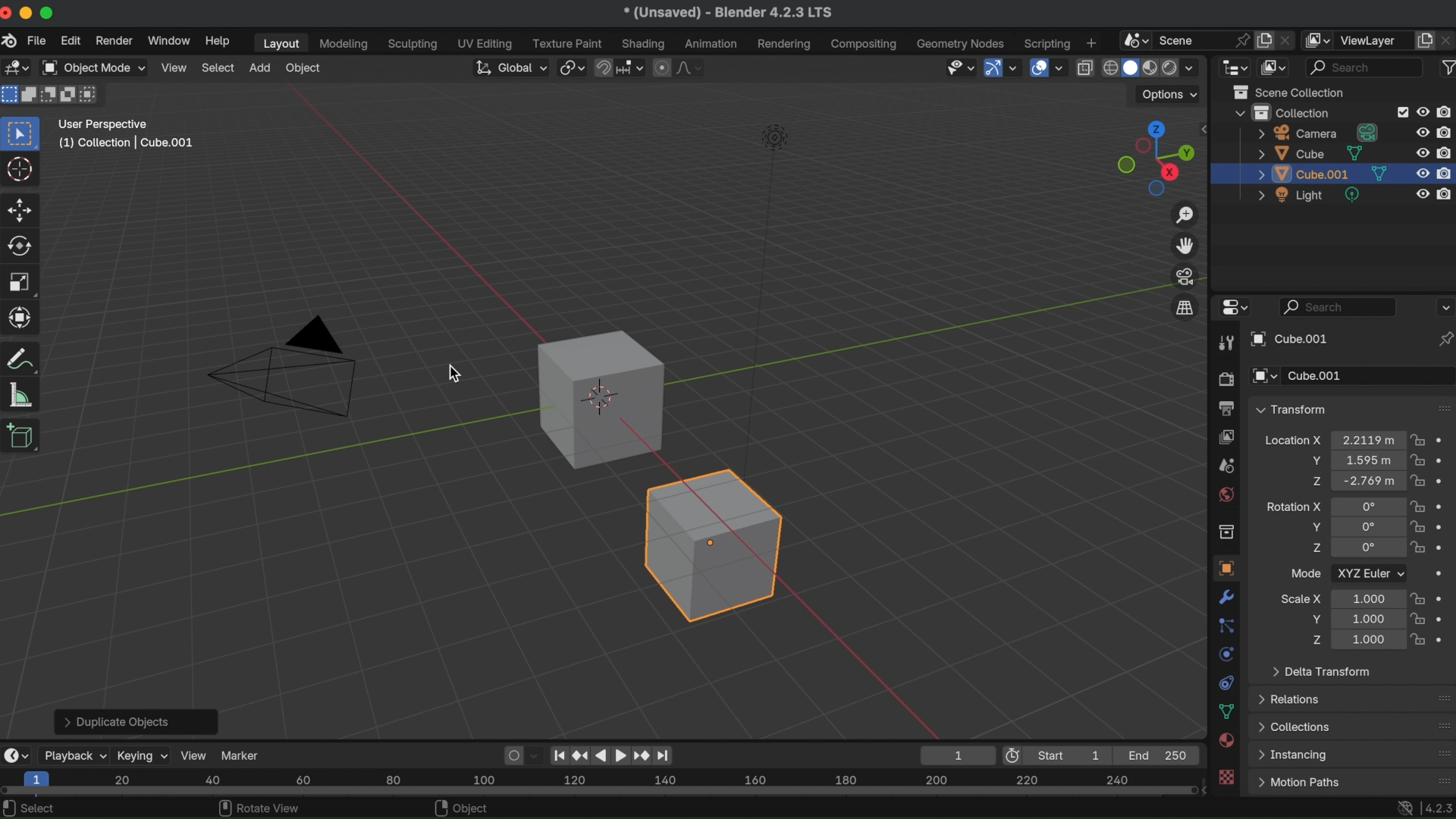  Describe the element at coordinates (1439, 778) in the screenshot. I see `drag handles` at that location.